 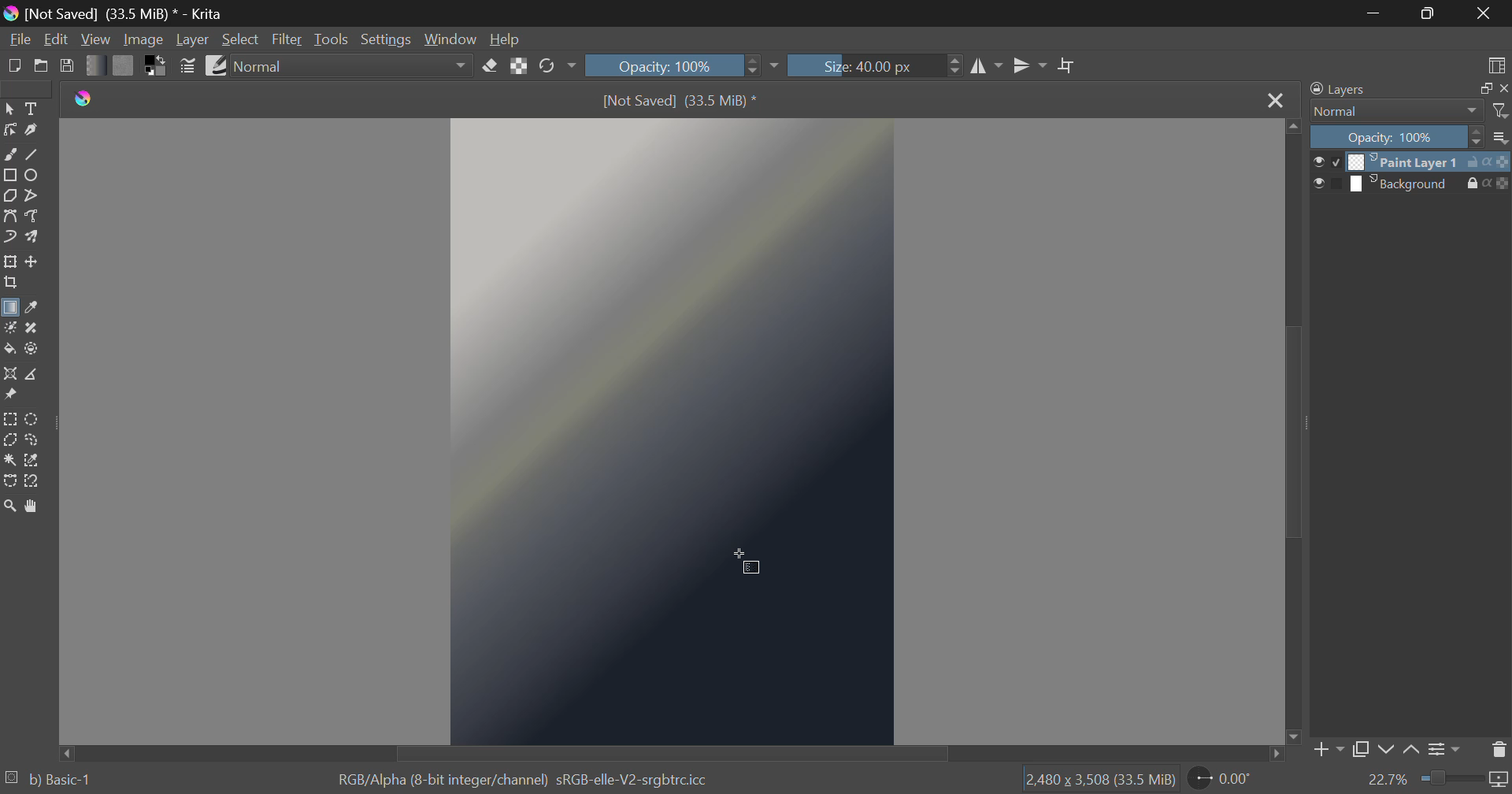 I want to click on Cursor Position AFTER_LAST_ACTION, so click(x=751, y=560).